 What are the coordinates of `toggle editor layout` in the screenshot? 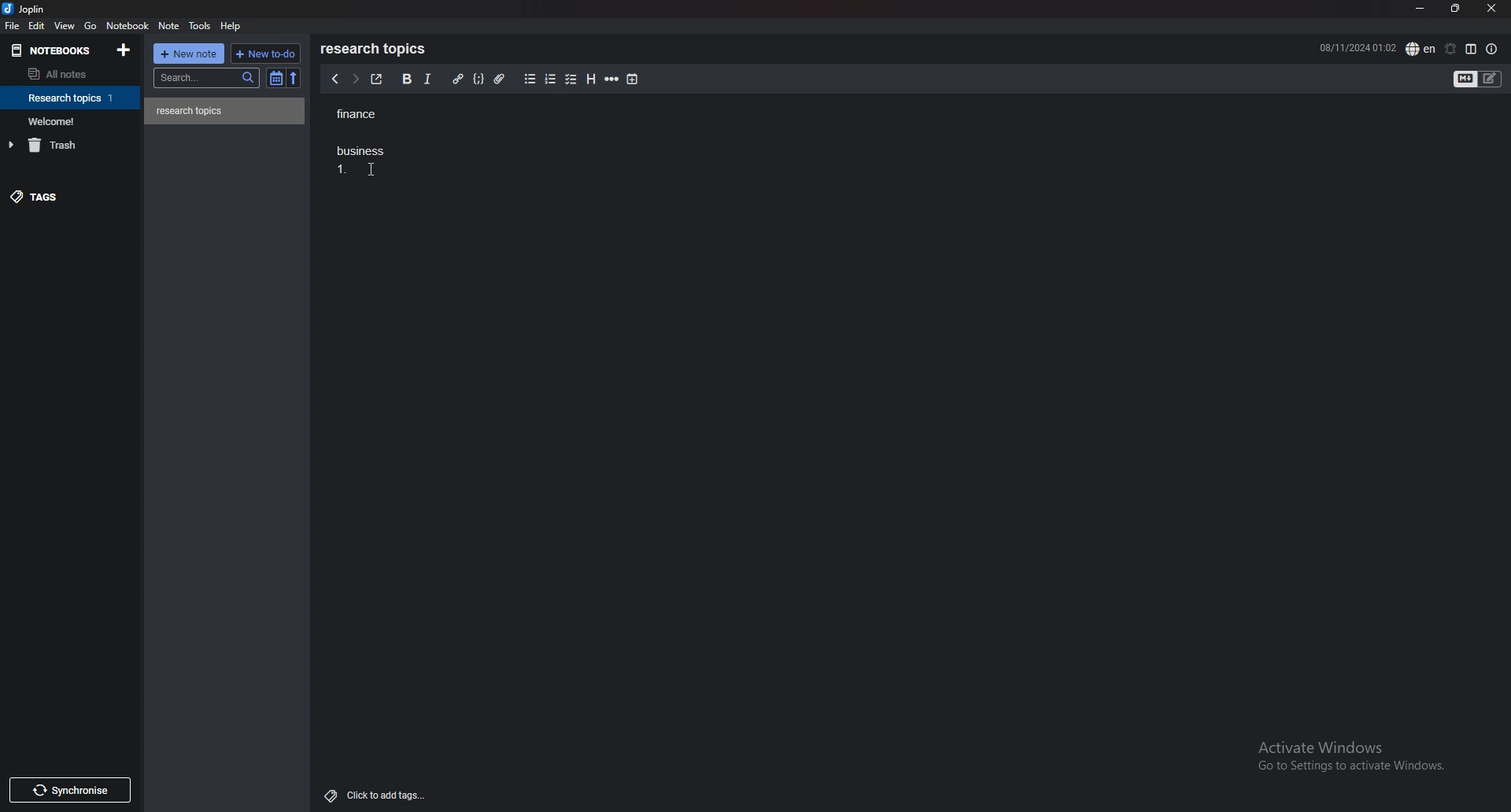 It's located at (1471, 49).